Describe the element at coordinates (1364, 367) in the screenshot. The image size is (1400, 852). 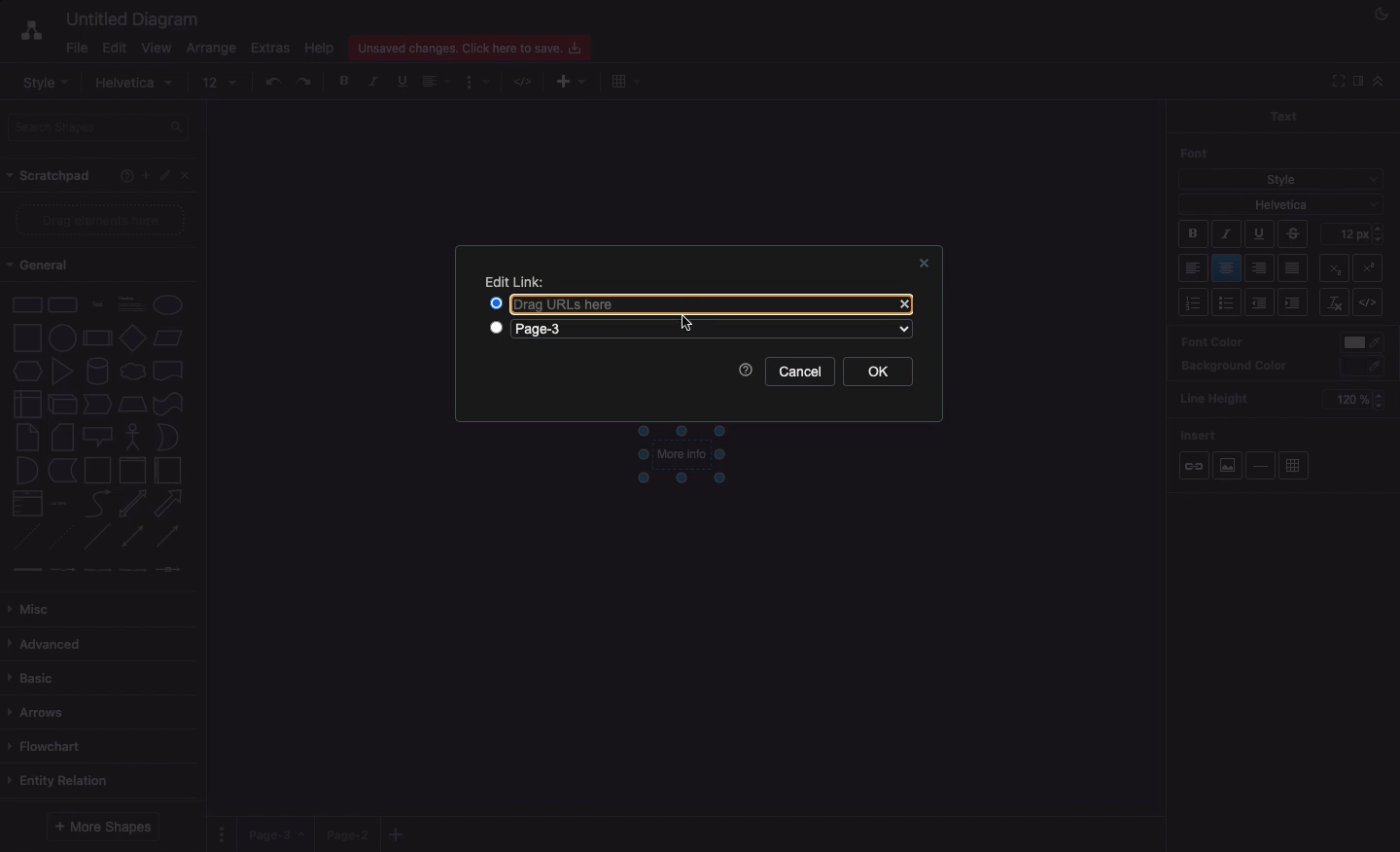
I see `color` at that location.